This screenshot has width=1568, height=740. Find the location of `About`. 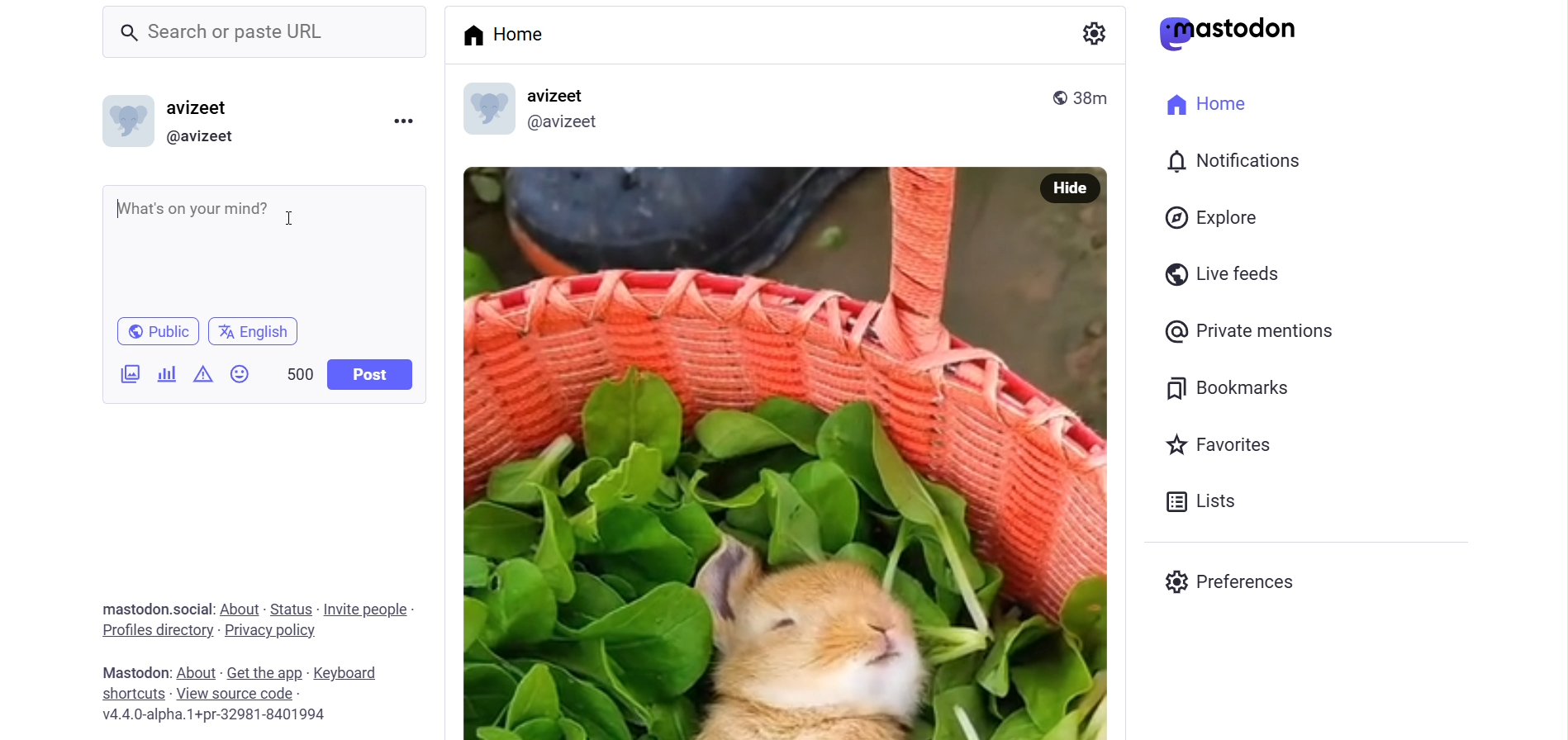

About is located at coordinates (239, 608).